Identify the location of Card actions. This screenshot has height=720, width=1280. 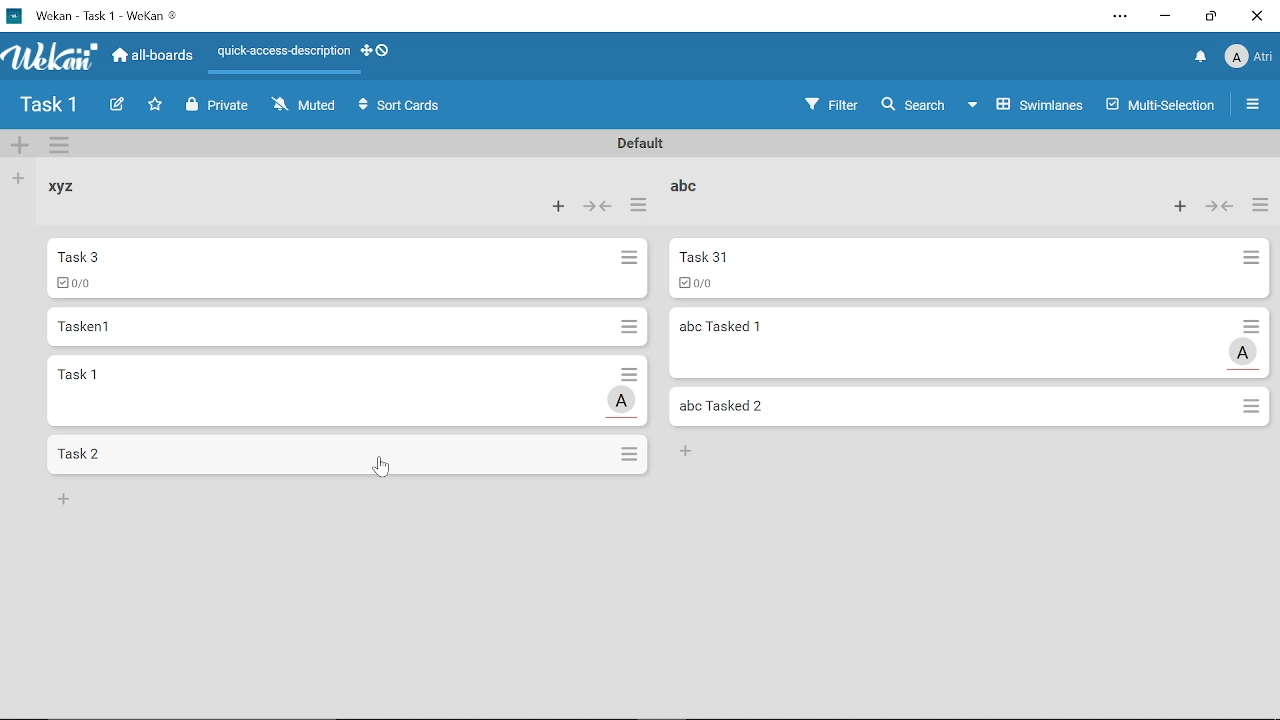
(1256, 325).